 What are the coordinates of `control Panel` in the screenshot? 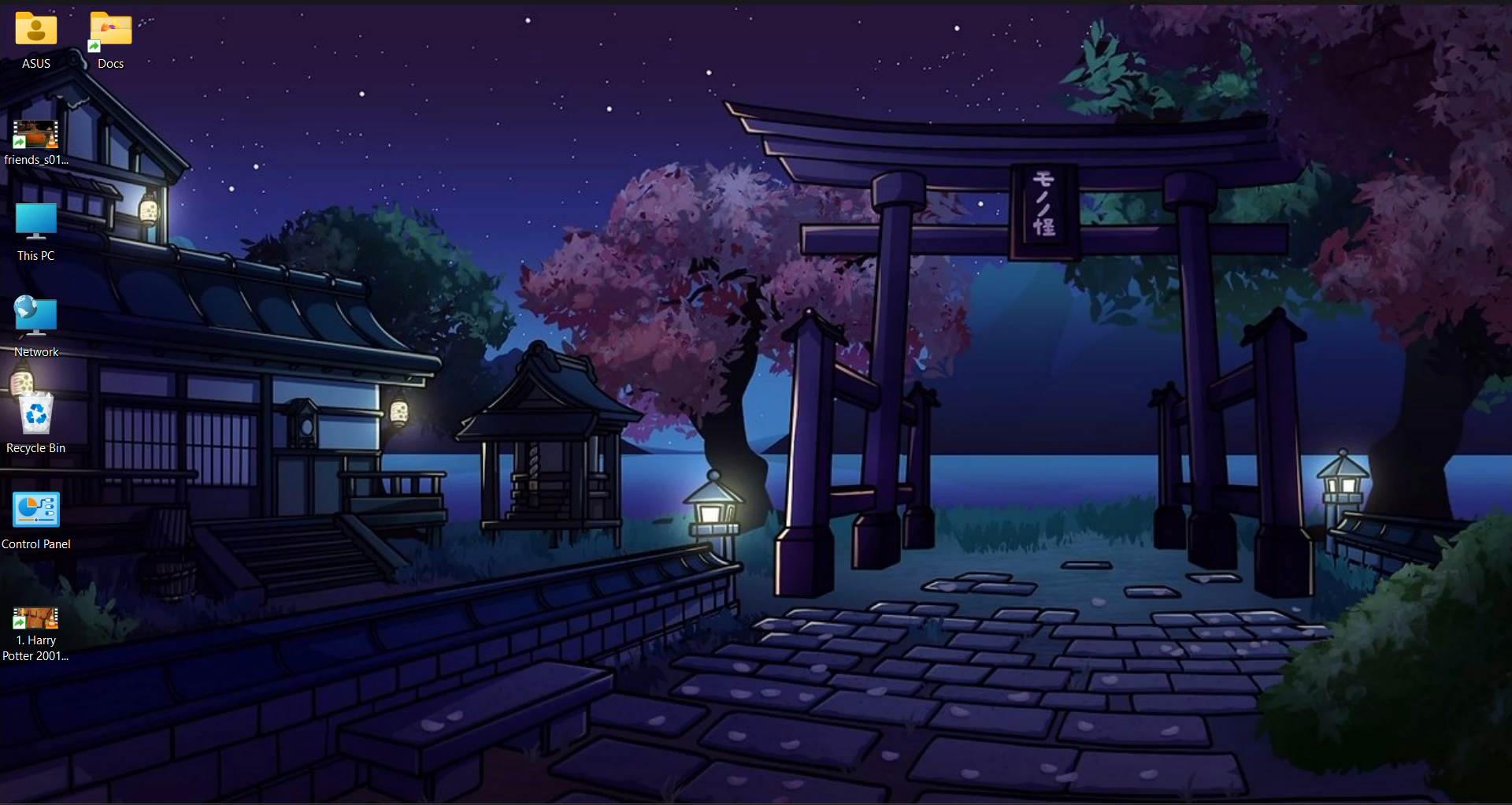 It's located at (42, 522).